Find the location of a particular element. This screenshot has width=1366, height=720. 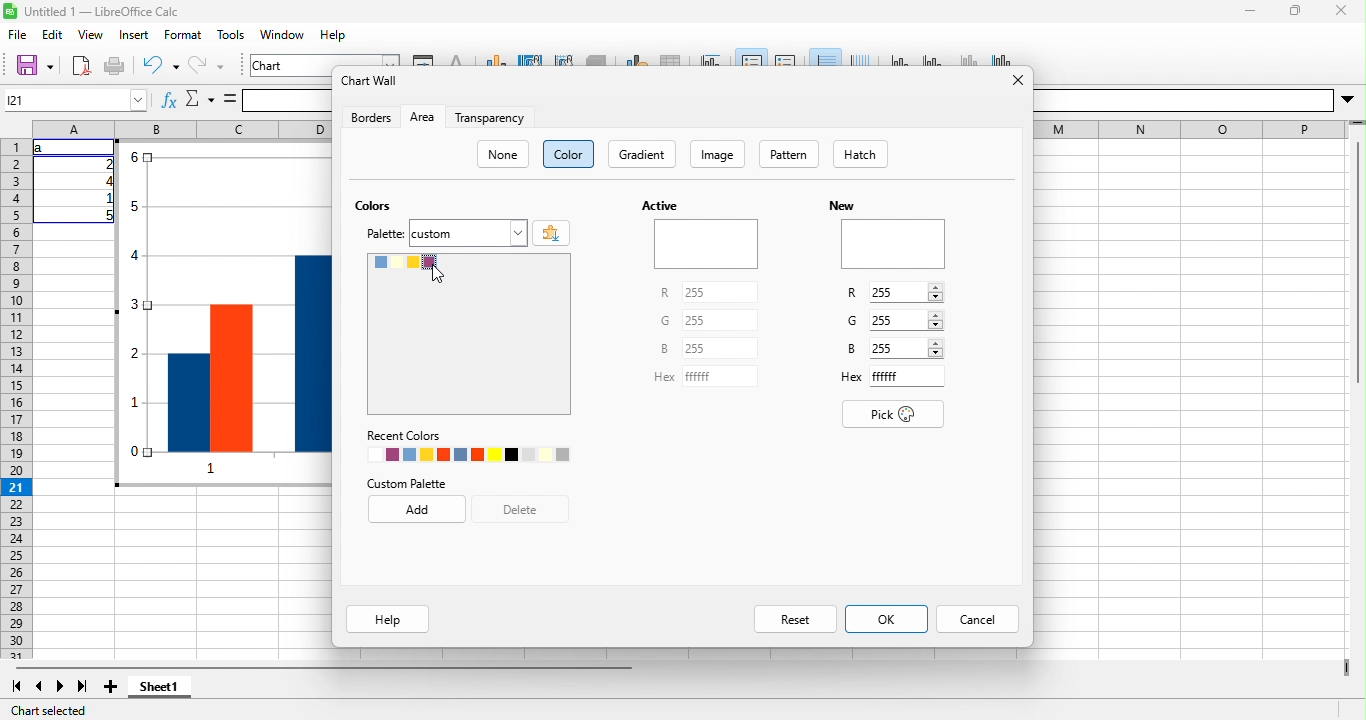

horizontal grids is located at coordinates (825, 57).